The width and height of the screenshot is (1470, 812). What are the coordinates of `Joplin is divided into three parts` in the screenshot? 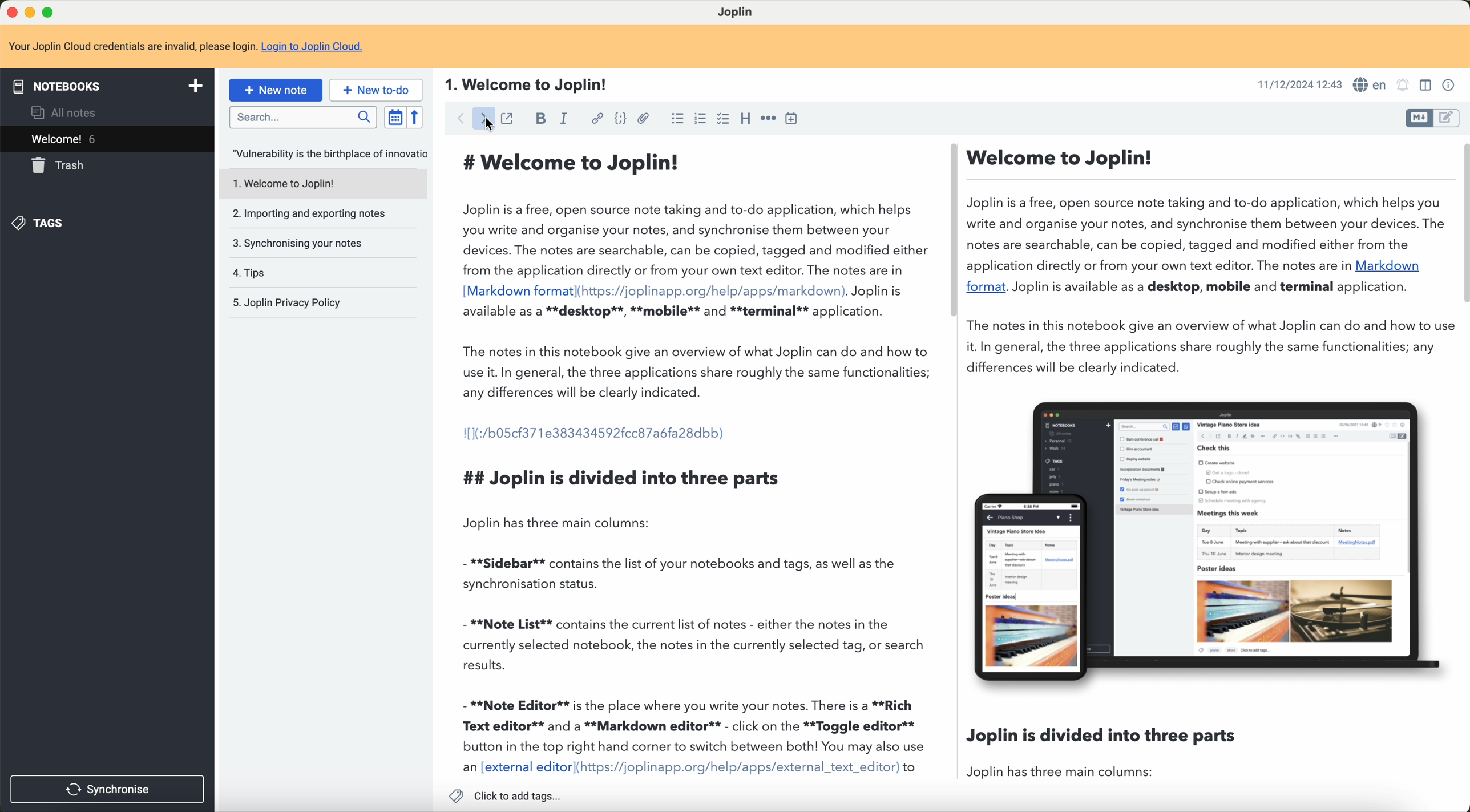 It's located at (1103, 737).